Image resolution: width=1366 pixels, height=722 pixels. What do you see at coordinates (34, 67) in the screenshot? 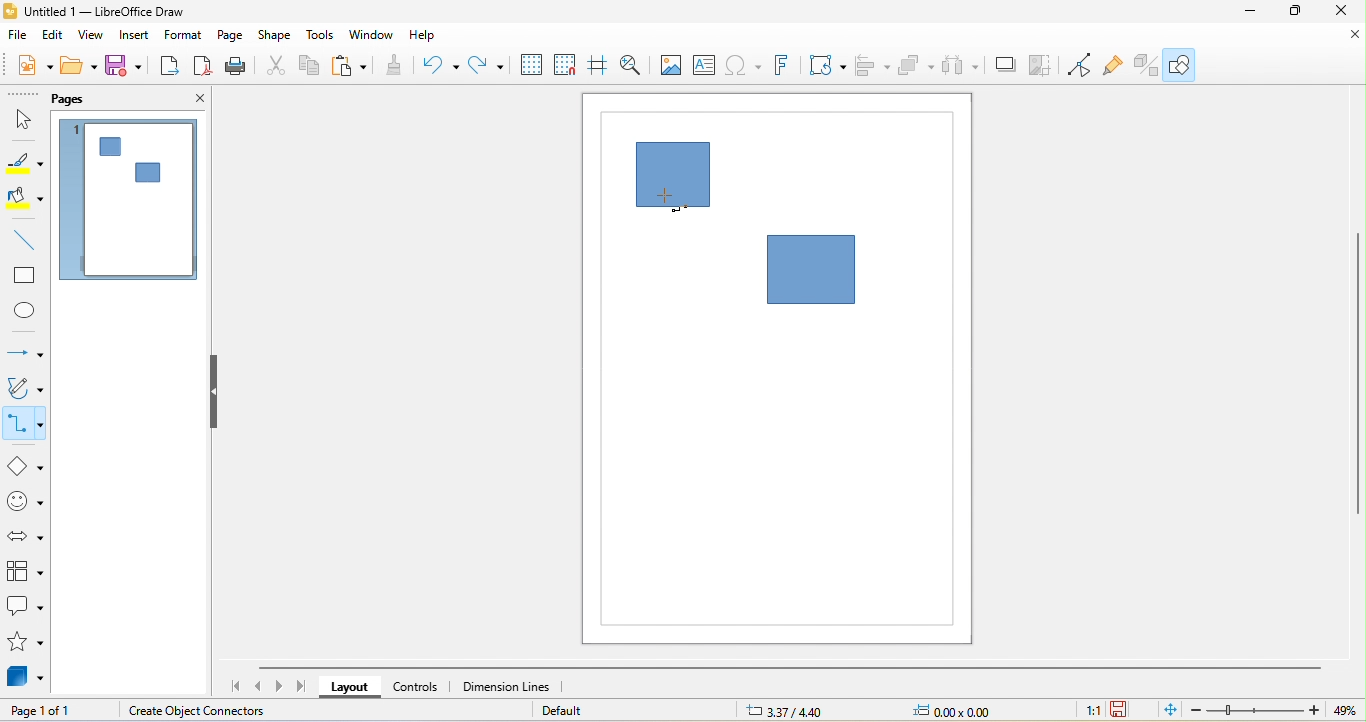
I see `new` at bounding box center [34, 67].